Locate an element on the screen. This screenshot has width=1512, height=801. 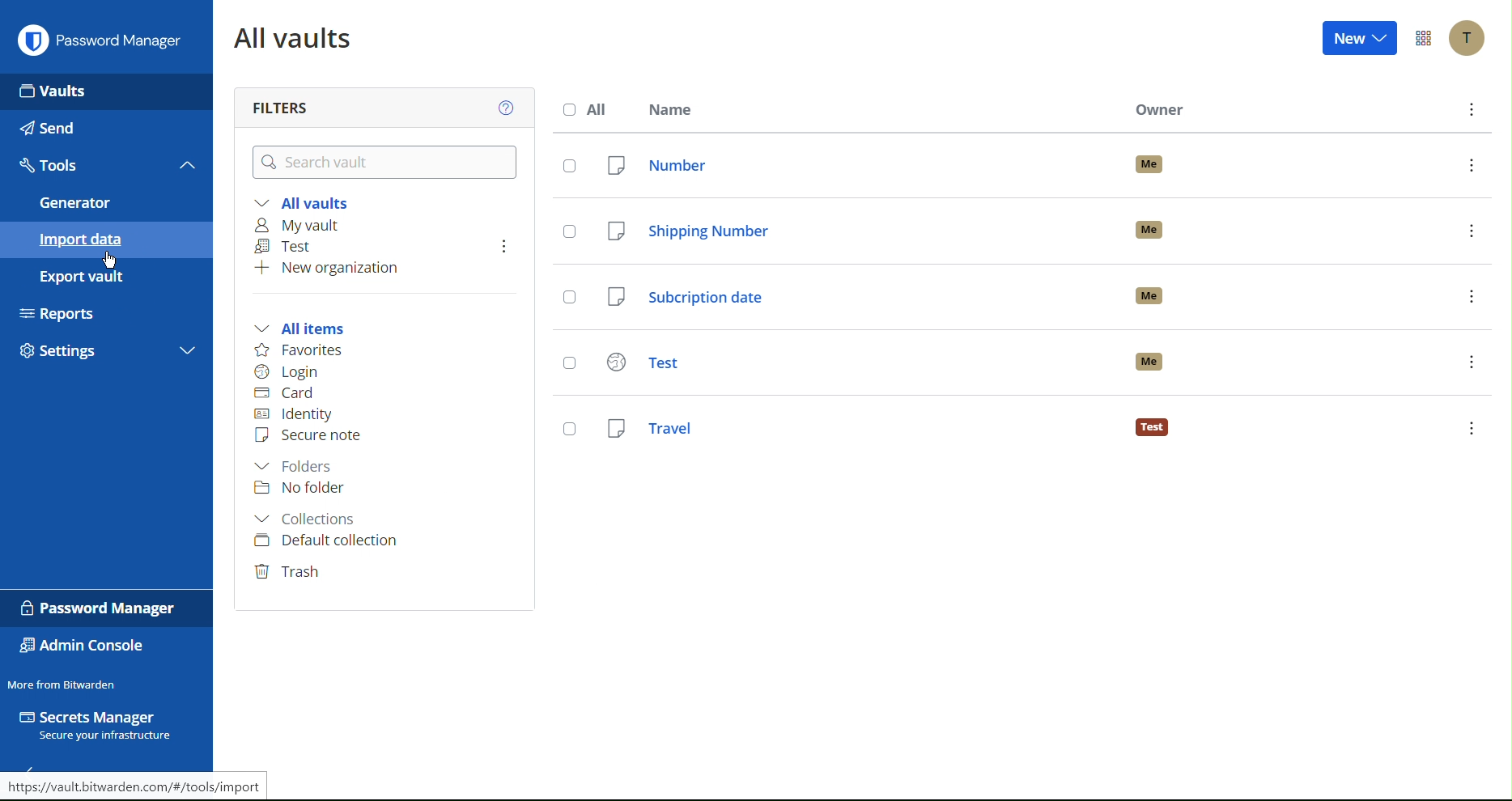
Name is located at coordinates (674, 108).